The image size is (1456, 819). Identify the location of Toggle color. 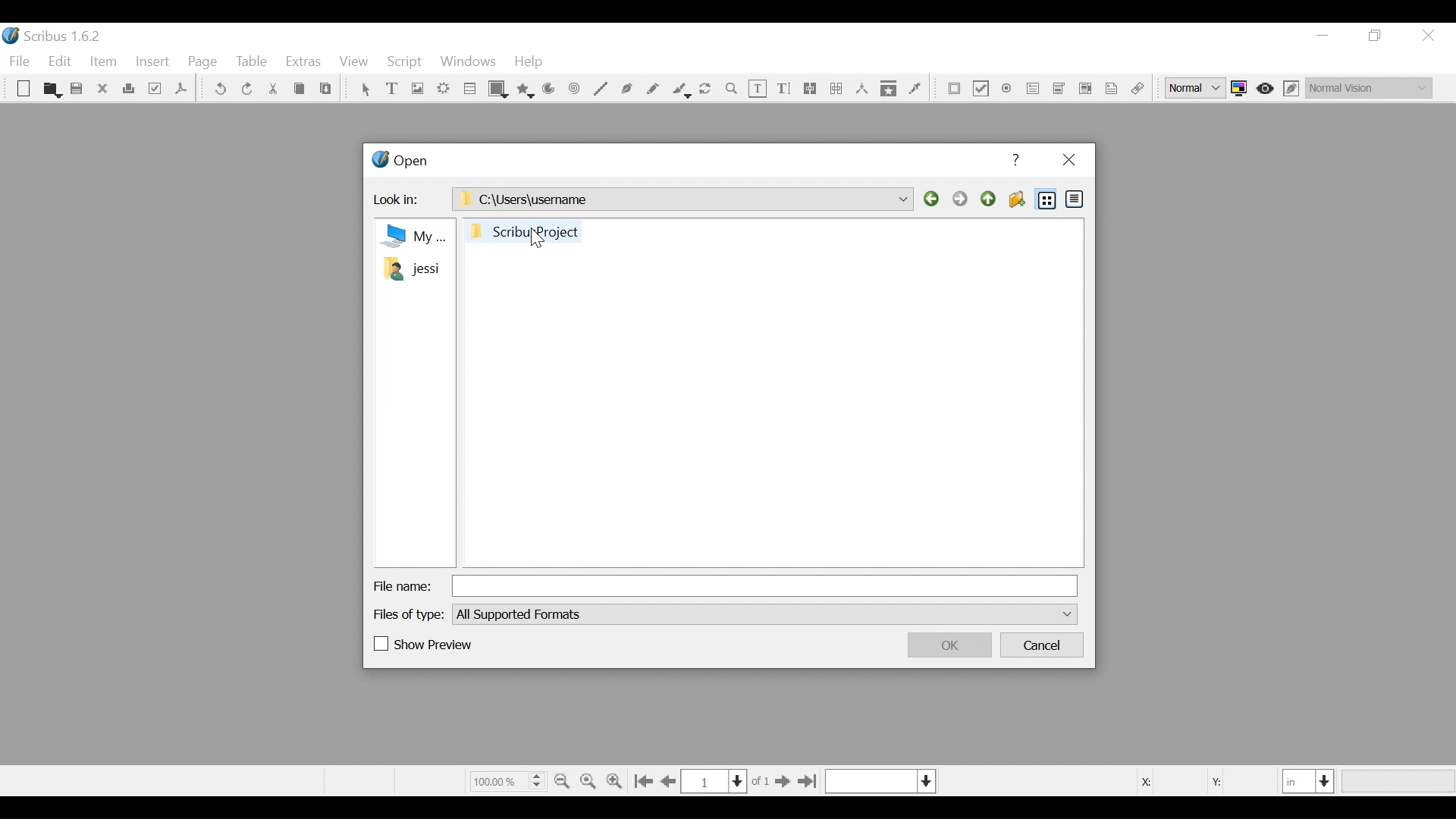
(1243, 88).